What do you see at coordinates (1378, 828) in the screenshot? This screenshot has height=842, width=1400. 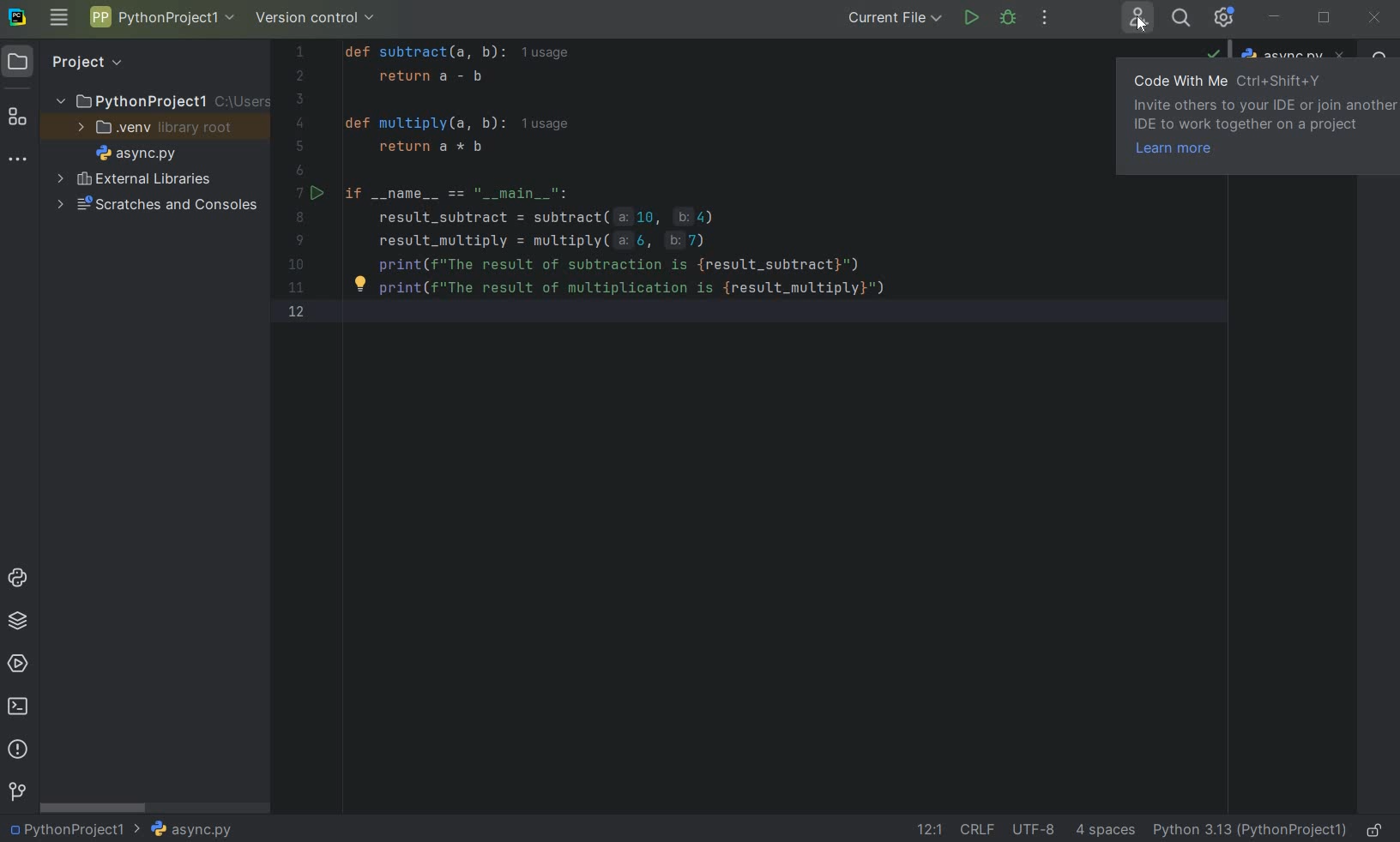 I see `MAKE FILE READY ONLY` at bounding box center [1378, 828].